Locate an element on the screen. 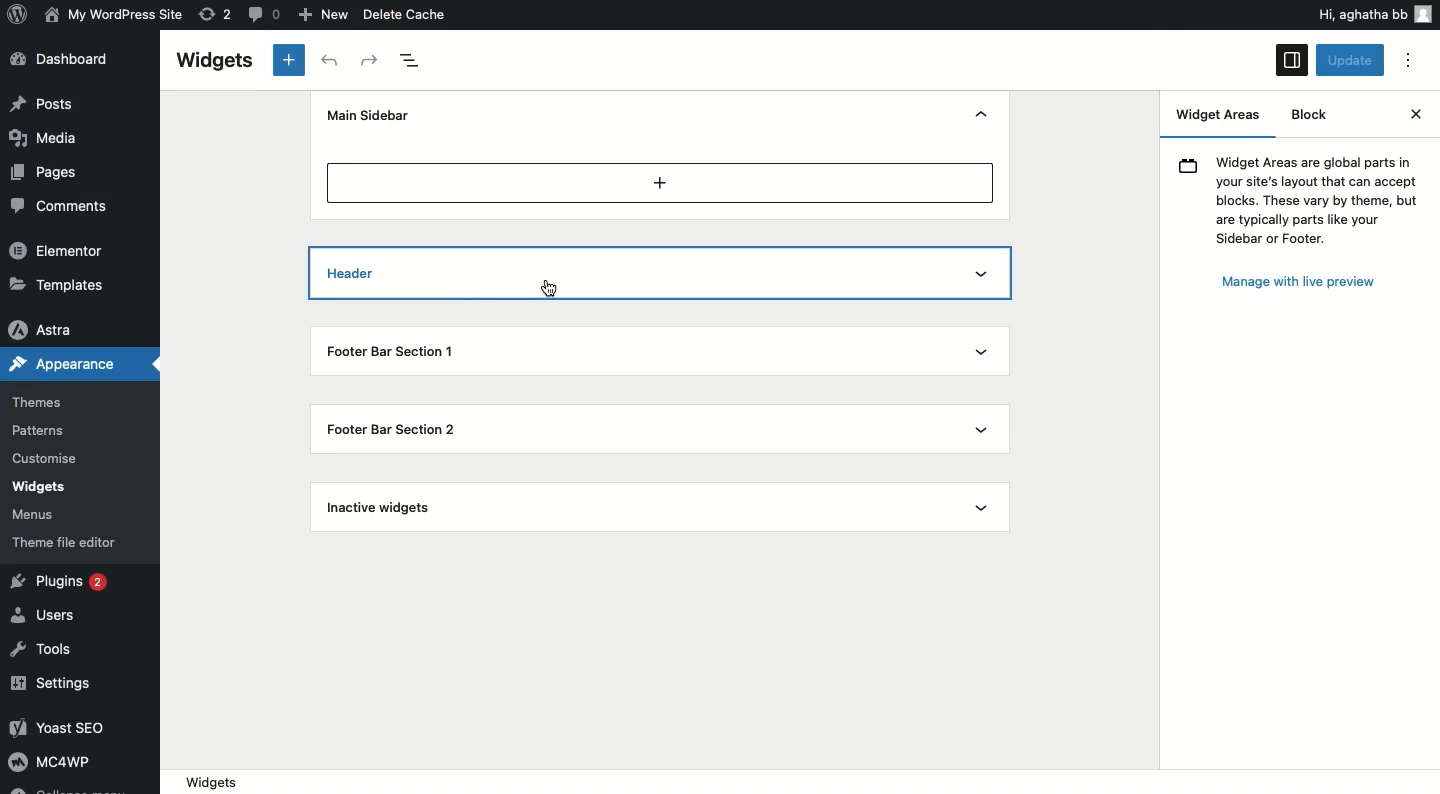  Footer bar section 2 is located at coordinates (398, 429).